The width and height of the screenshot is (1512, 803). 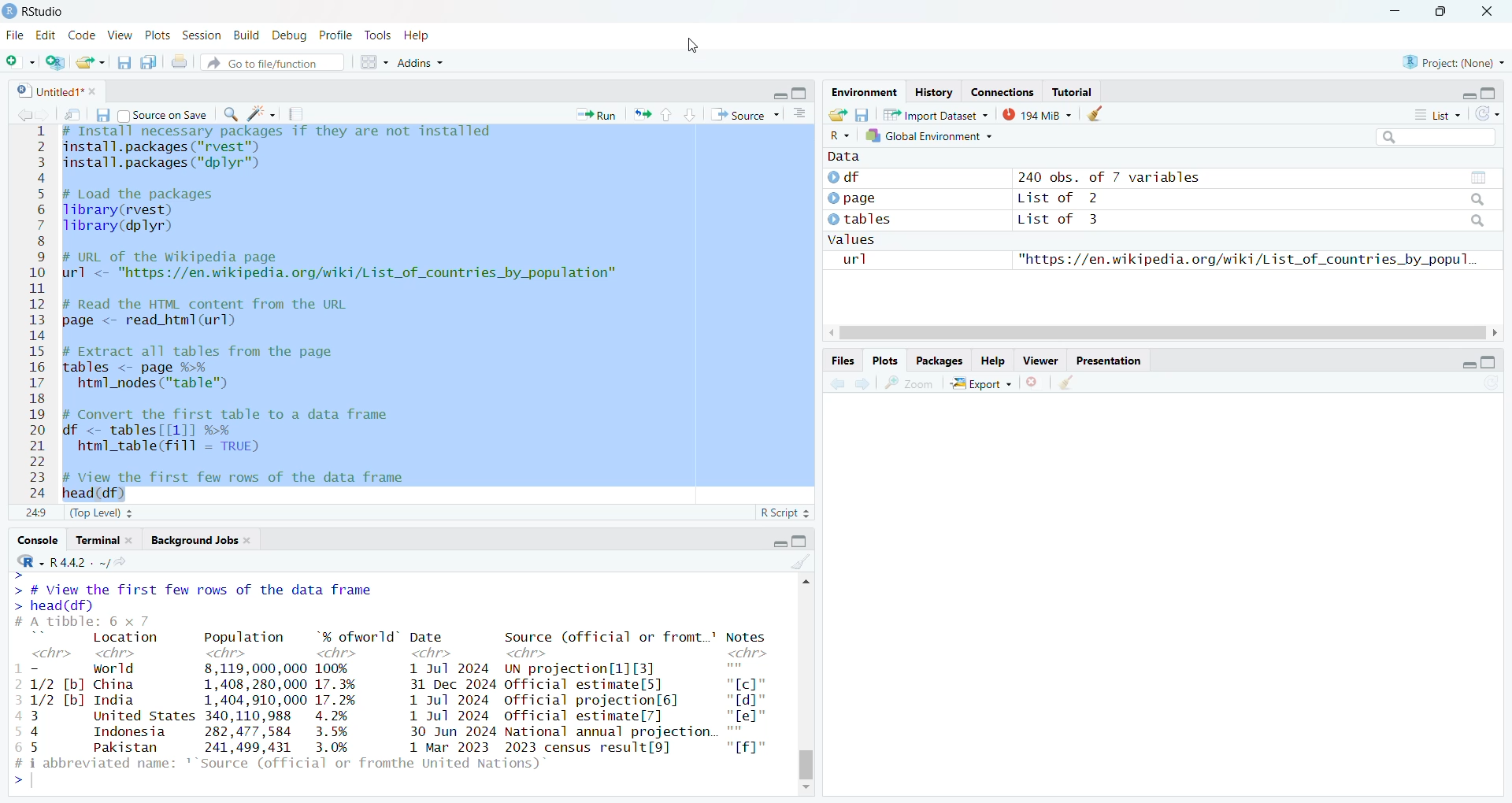 I want to click on code tools, so click(x=261, y=114).